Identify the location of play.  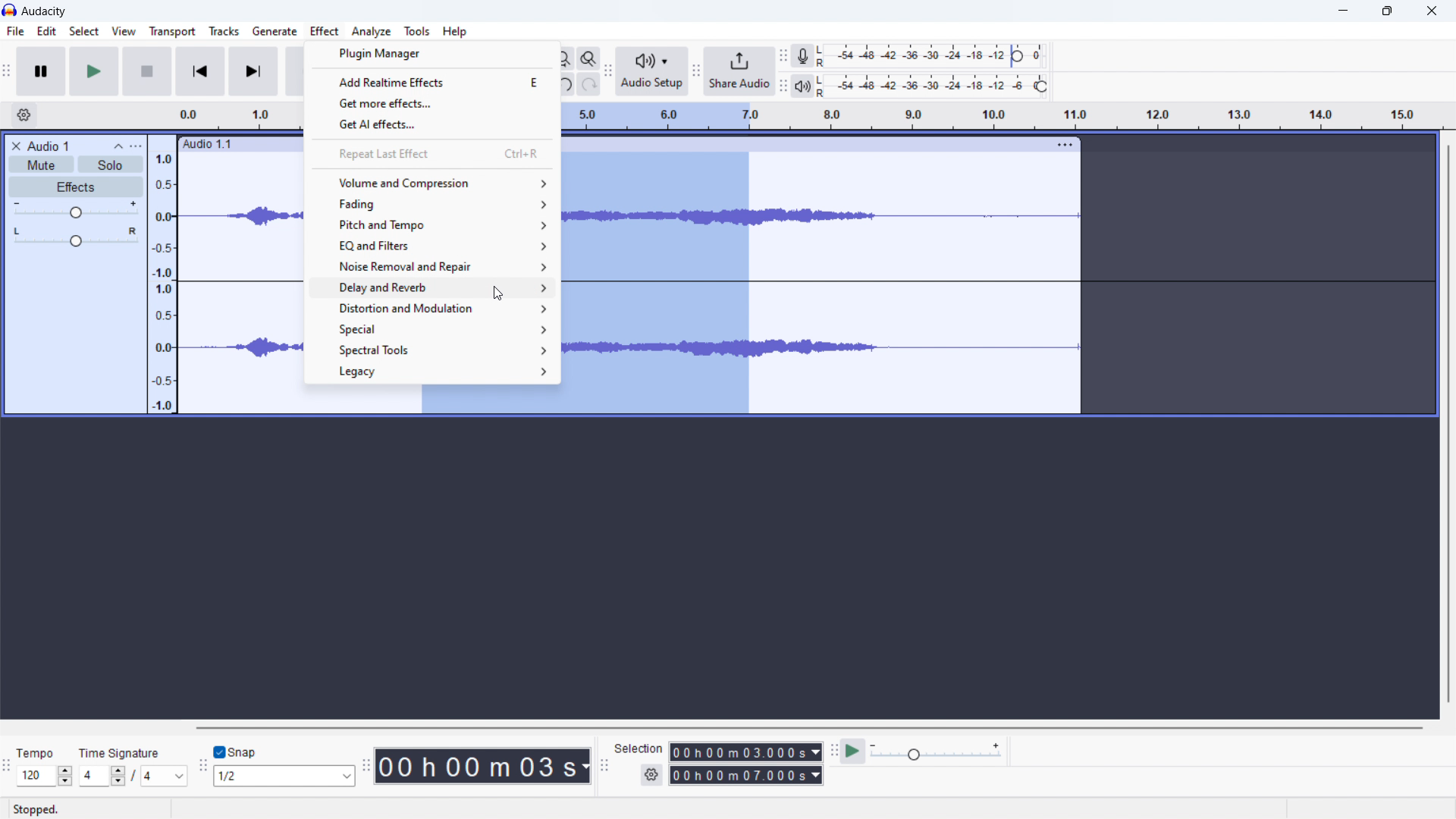
(95, 71).